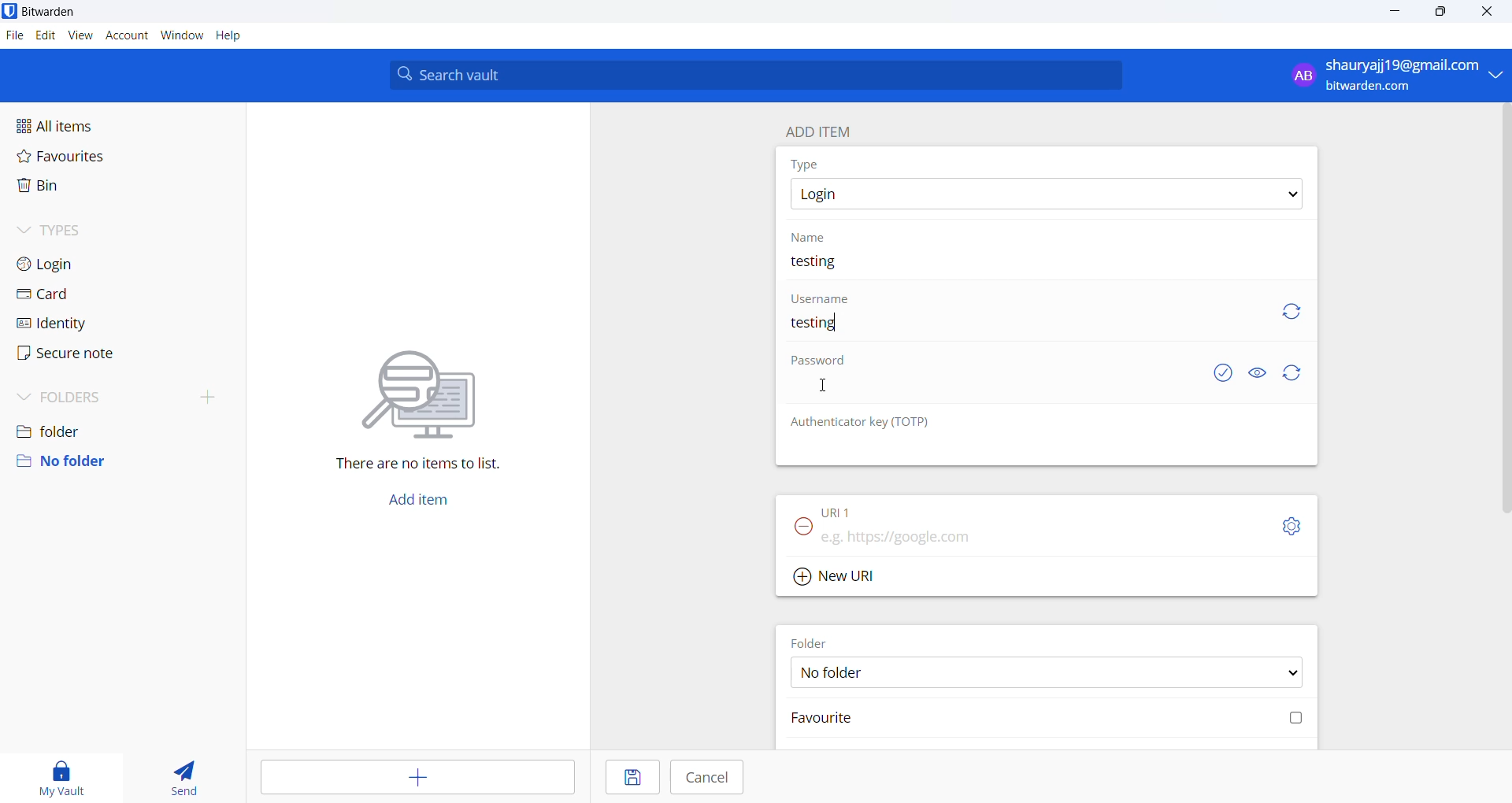  Describe the element at coordinates (43, 35) in the screenshot. I see `edit` at that location.